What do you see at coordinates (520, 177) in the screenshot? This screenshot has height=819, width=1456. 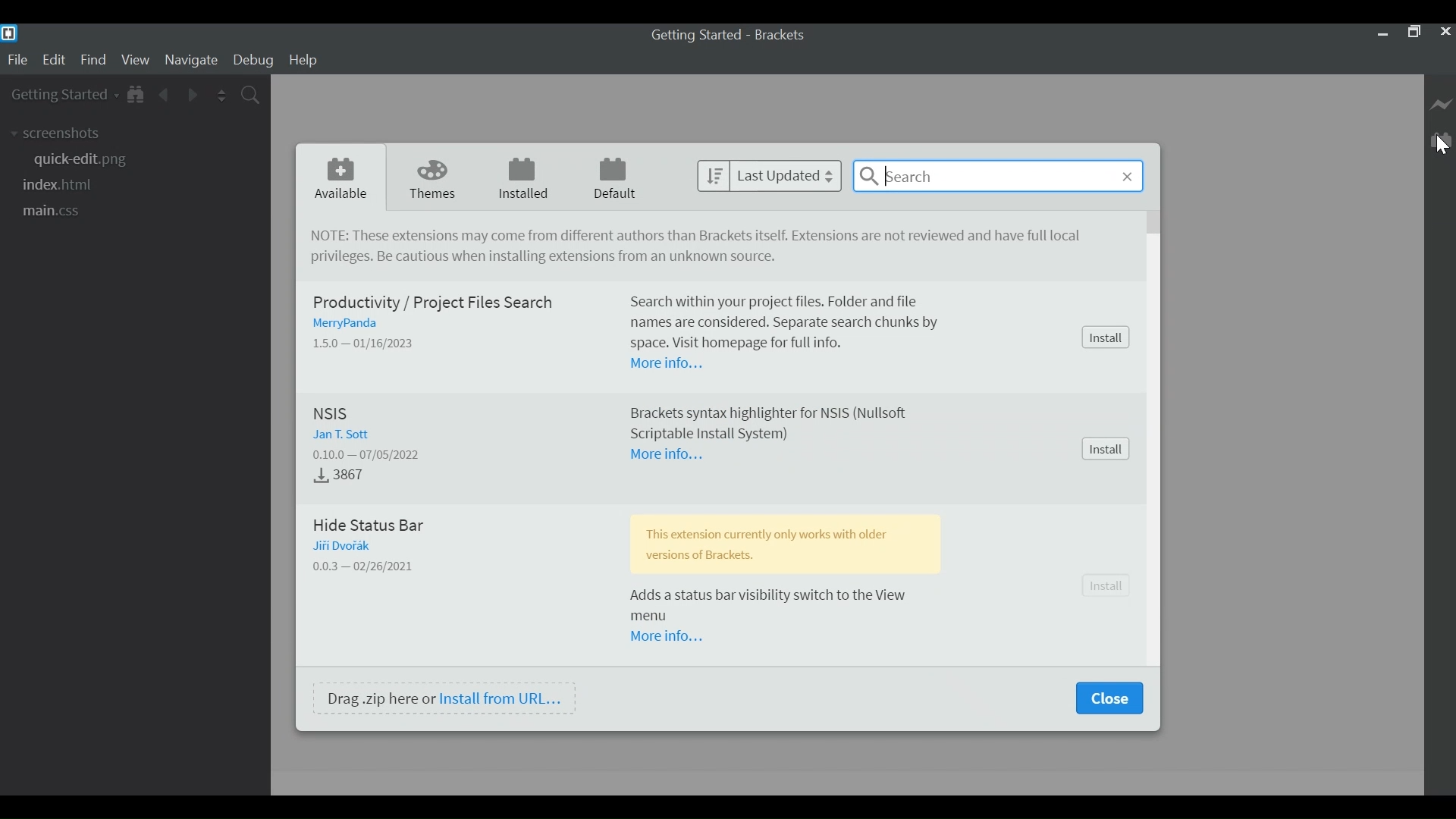 I see `Installed` at bounding box center [520, 177].